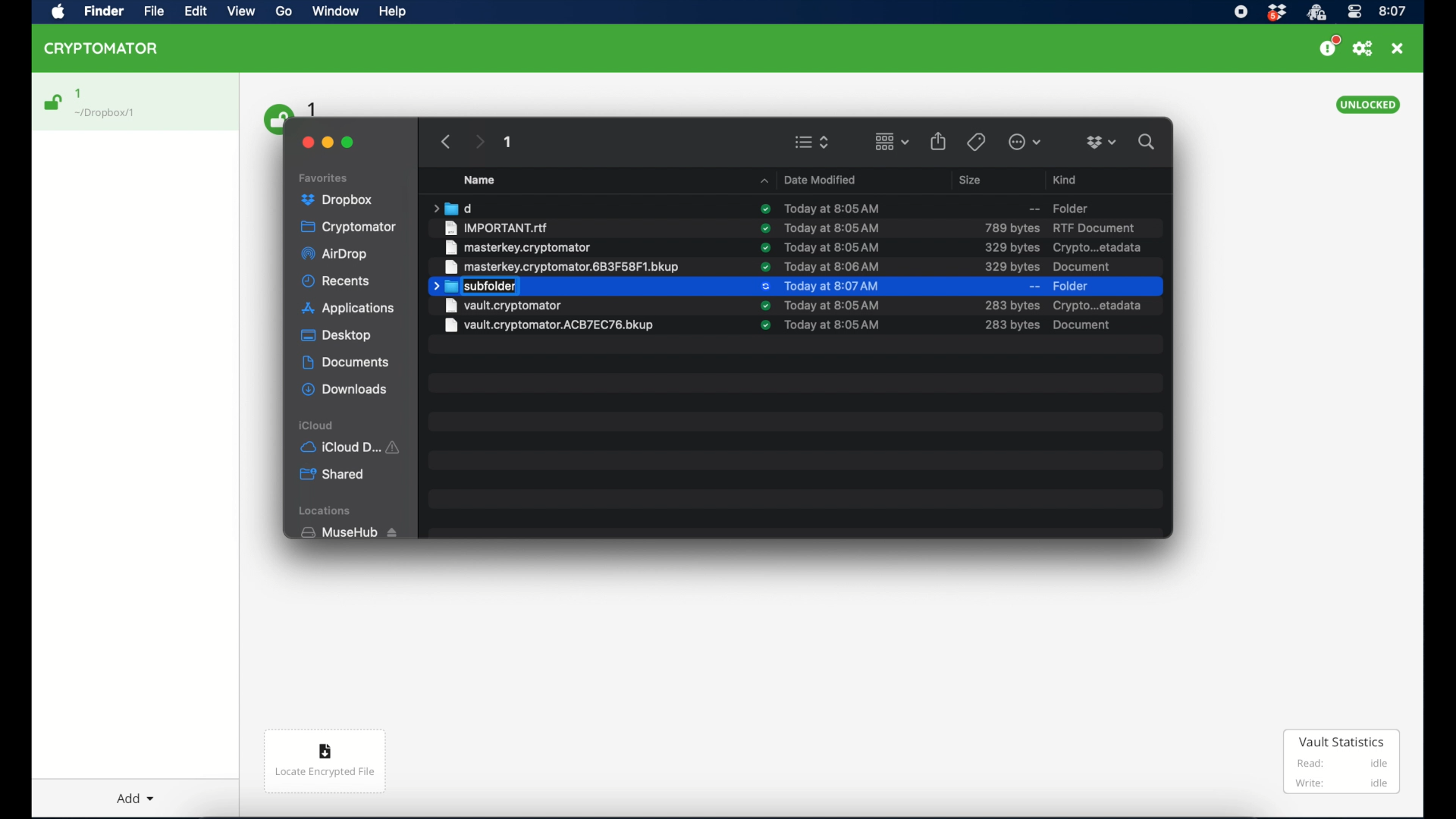  Describe the element at coordinates (509, 144) in the screenshot. I see `1` at that location.